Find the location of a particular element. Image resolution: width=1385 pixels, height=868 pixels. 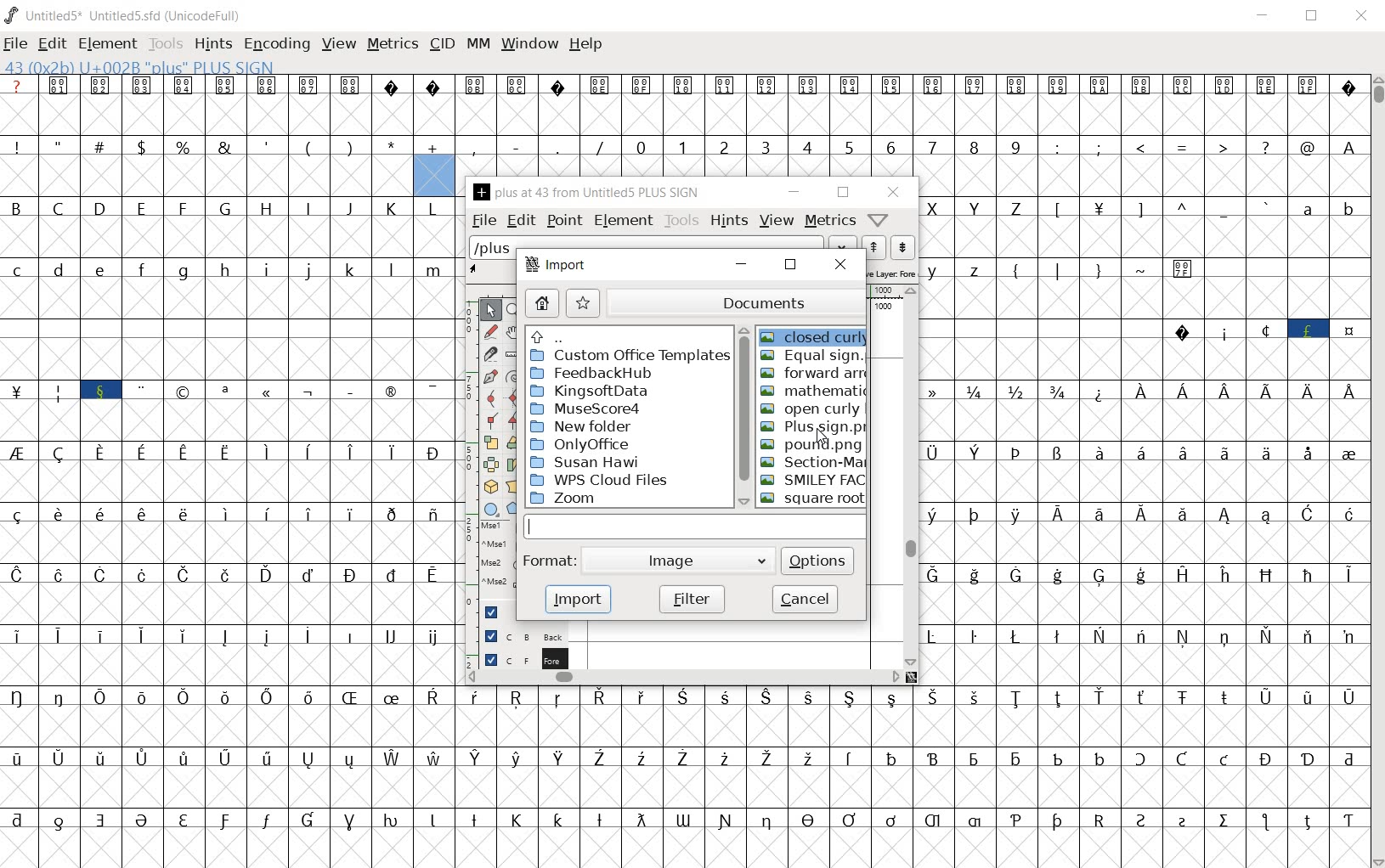

add a curve point is located at coordinates (491, 397).